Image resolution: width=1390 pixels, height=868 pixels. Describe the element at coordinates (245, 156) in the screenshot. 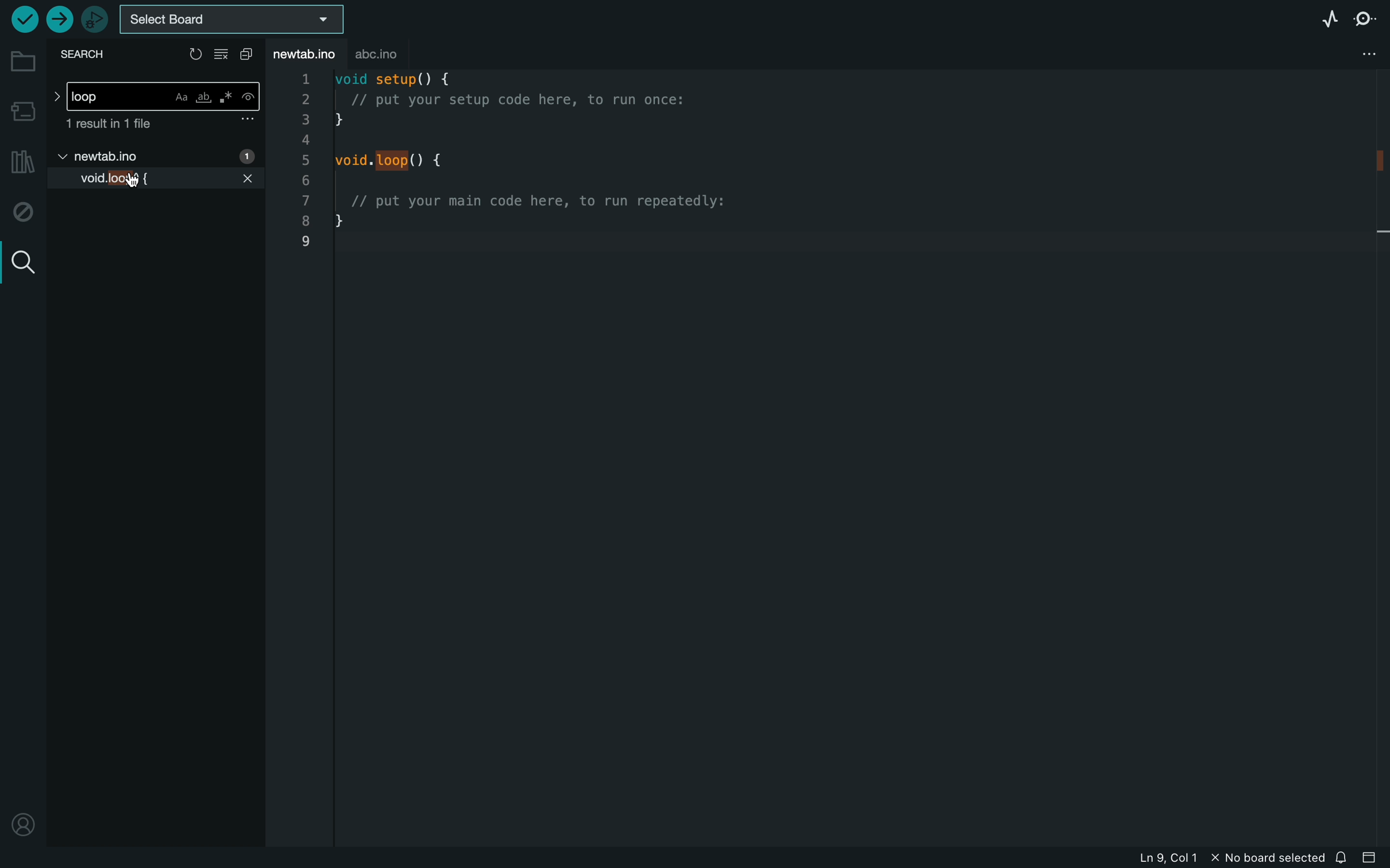

I see `no of accurances ` at that location.